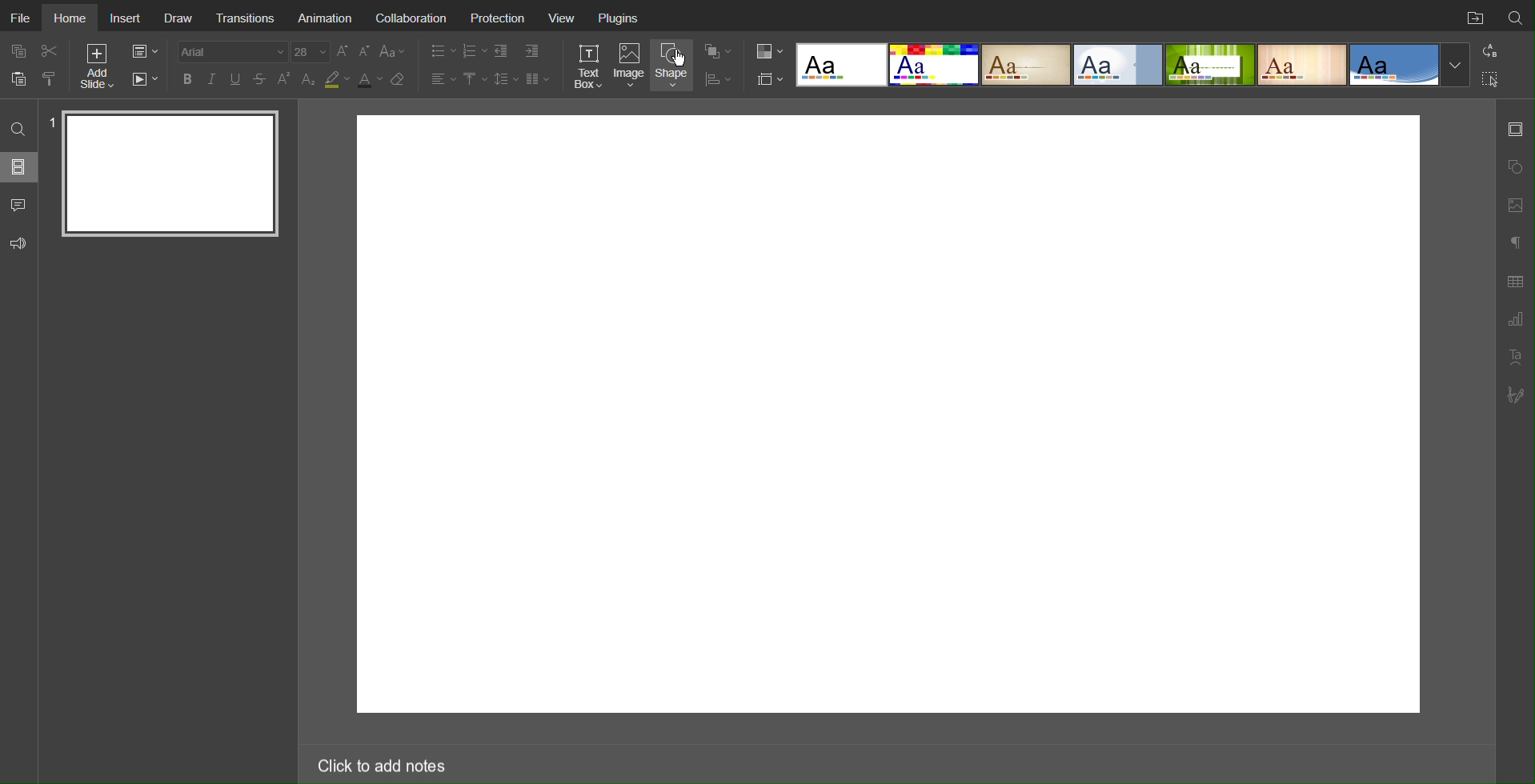  What do you see at coordinates (1517, 395) in the screenshot?
I see `Signature ` at bounding box center [1517, 395].